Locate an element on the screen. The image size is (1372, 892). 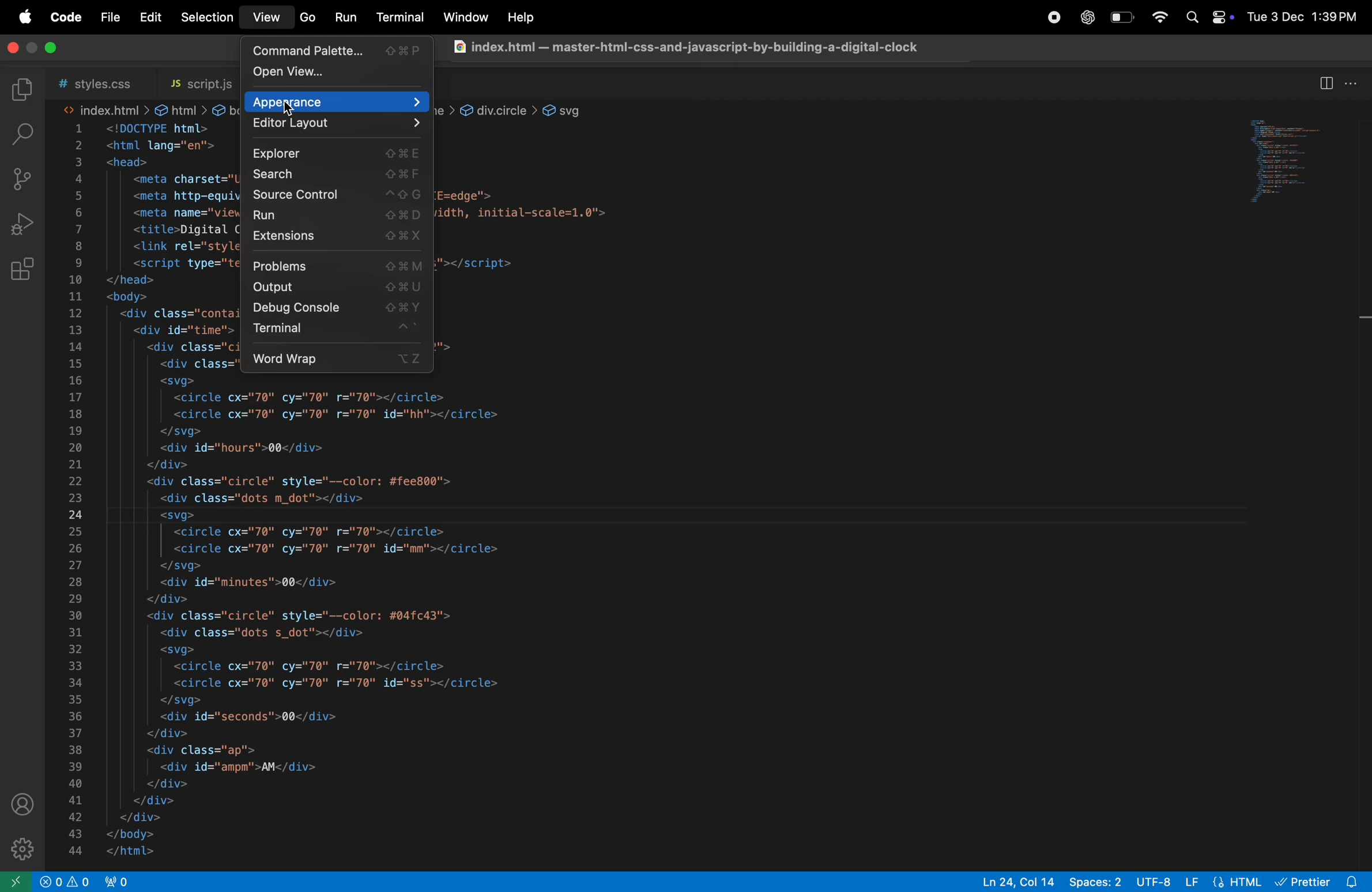
word wrap is located at coordinates (335, 358).